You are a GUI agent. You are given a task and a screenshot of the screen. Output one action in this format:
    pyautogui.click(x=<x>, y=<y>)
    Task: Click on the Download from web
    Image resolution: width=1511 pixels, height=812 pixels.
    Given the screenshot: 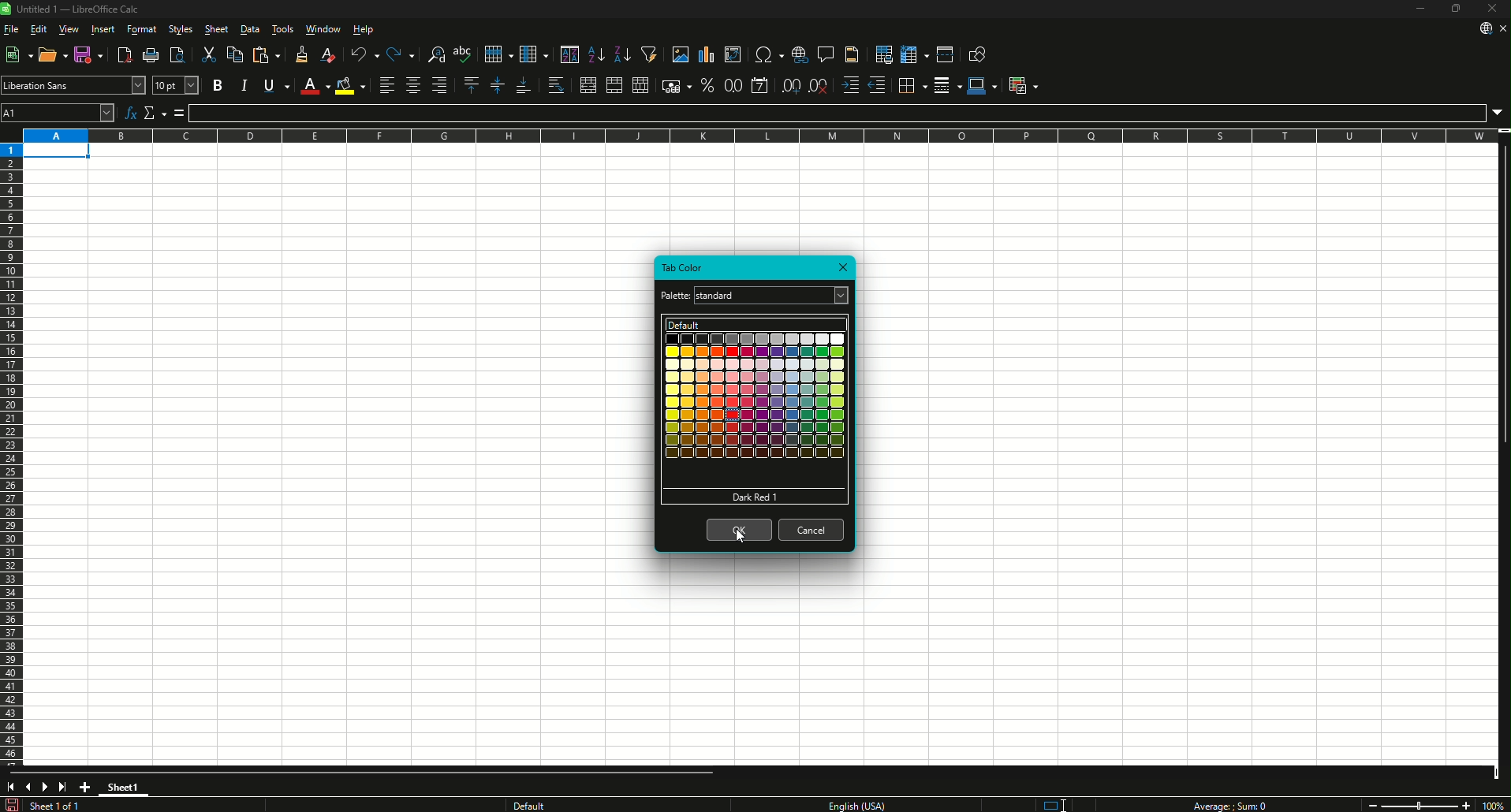 What is the action you would take?
    pyautogui.click(x=1485, y=28)
    